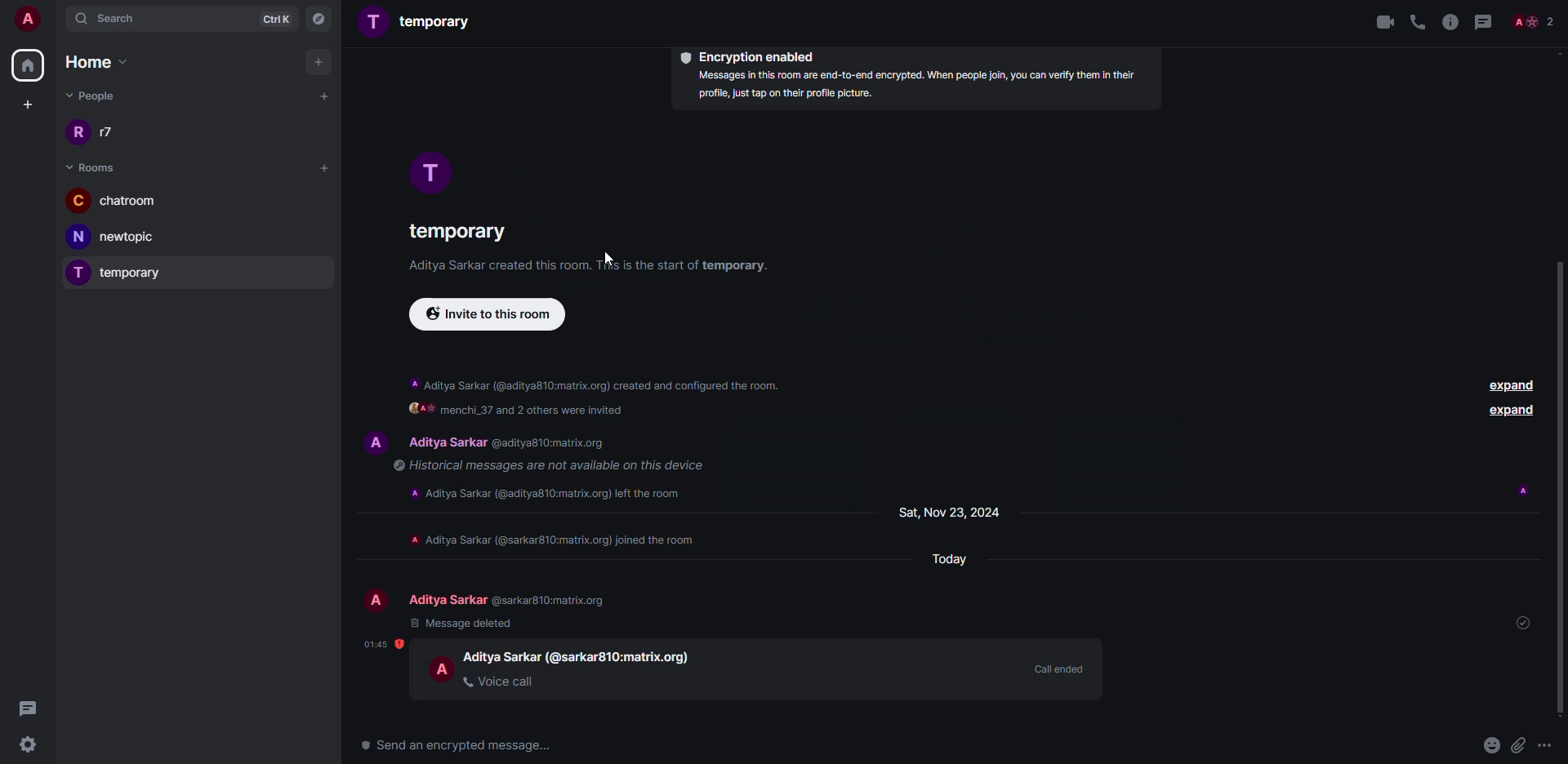  Describe the element at coordinates (446, 599) in the screenshot. I see `people` at that location.